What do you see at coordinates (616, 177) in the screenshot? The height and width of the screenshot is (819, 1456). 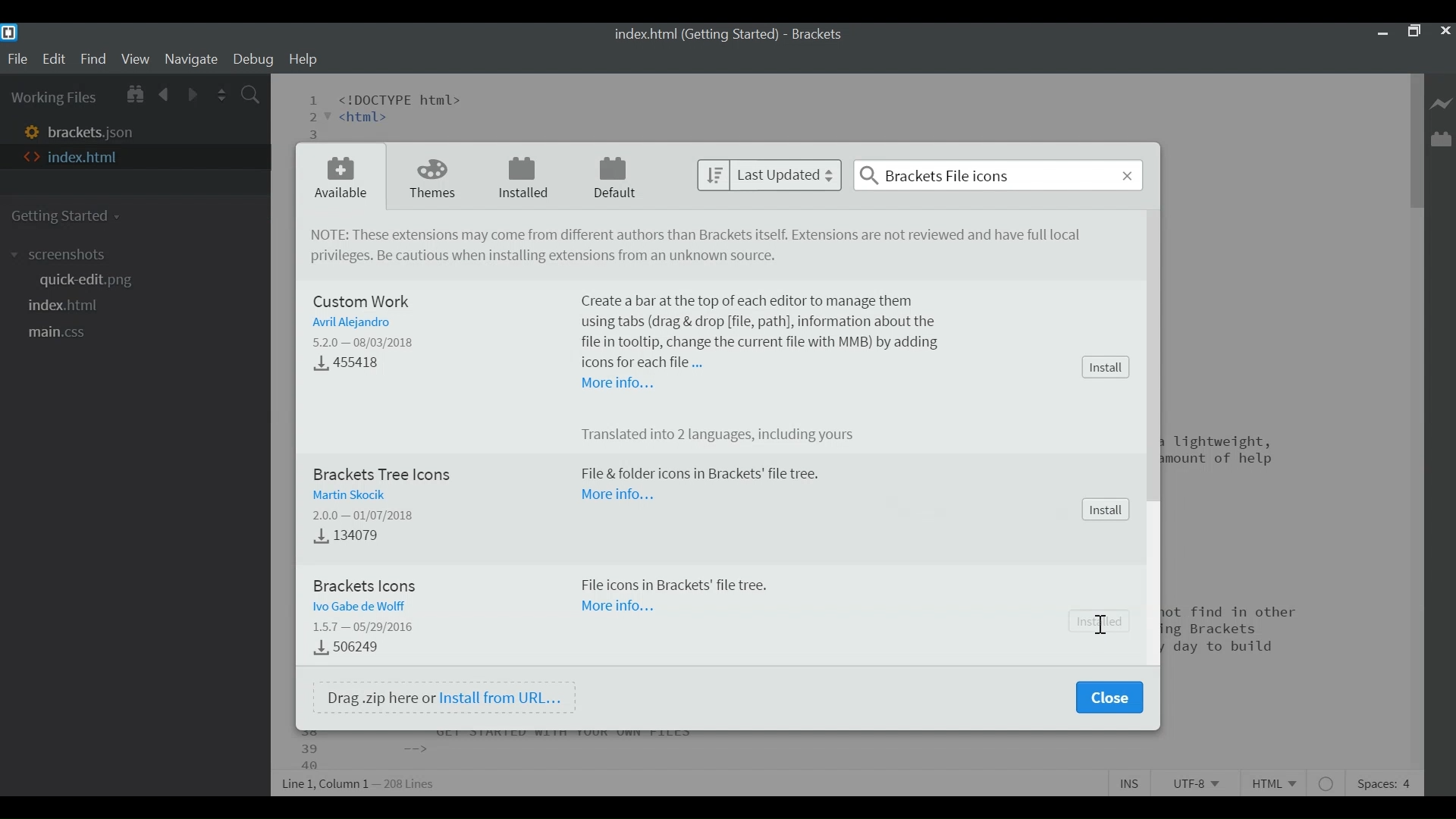 I see `Default` at bounding box center [616, 177].